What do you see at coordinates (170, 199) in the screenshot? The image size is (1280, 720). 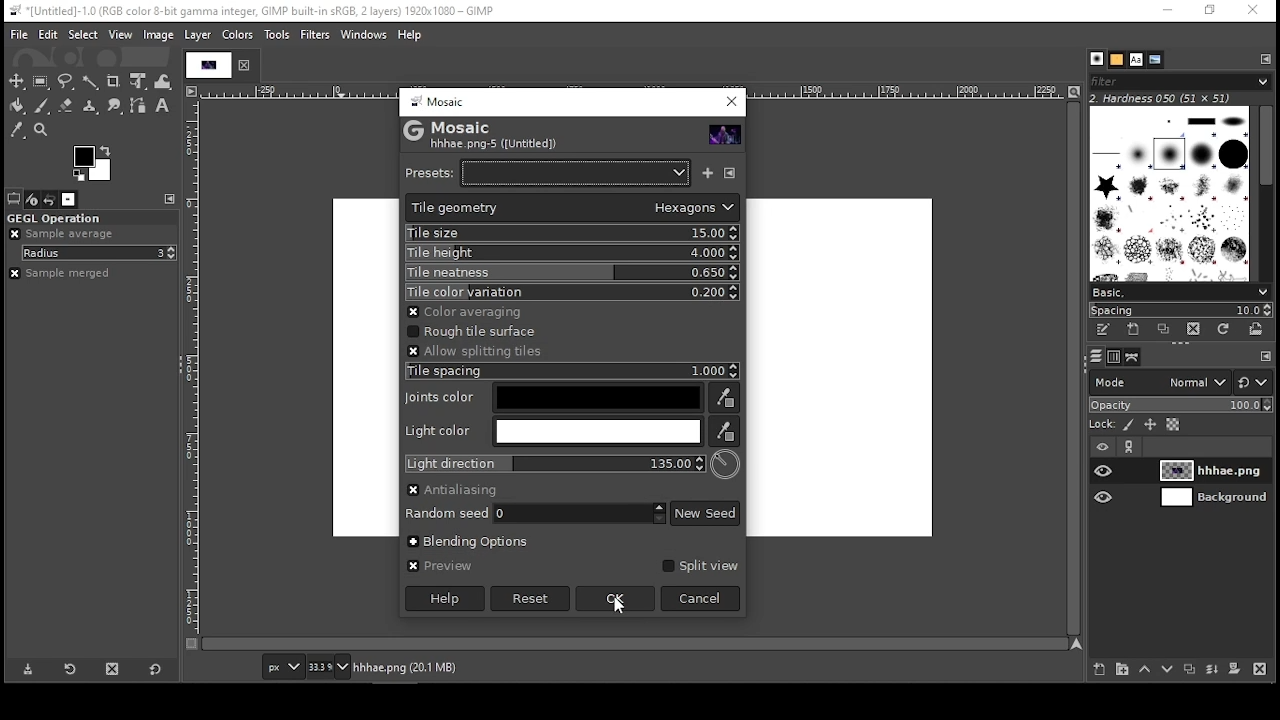 I see `To open Tab menu` at bounding box center [170, 199].